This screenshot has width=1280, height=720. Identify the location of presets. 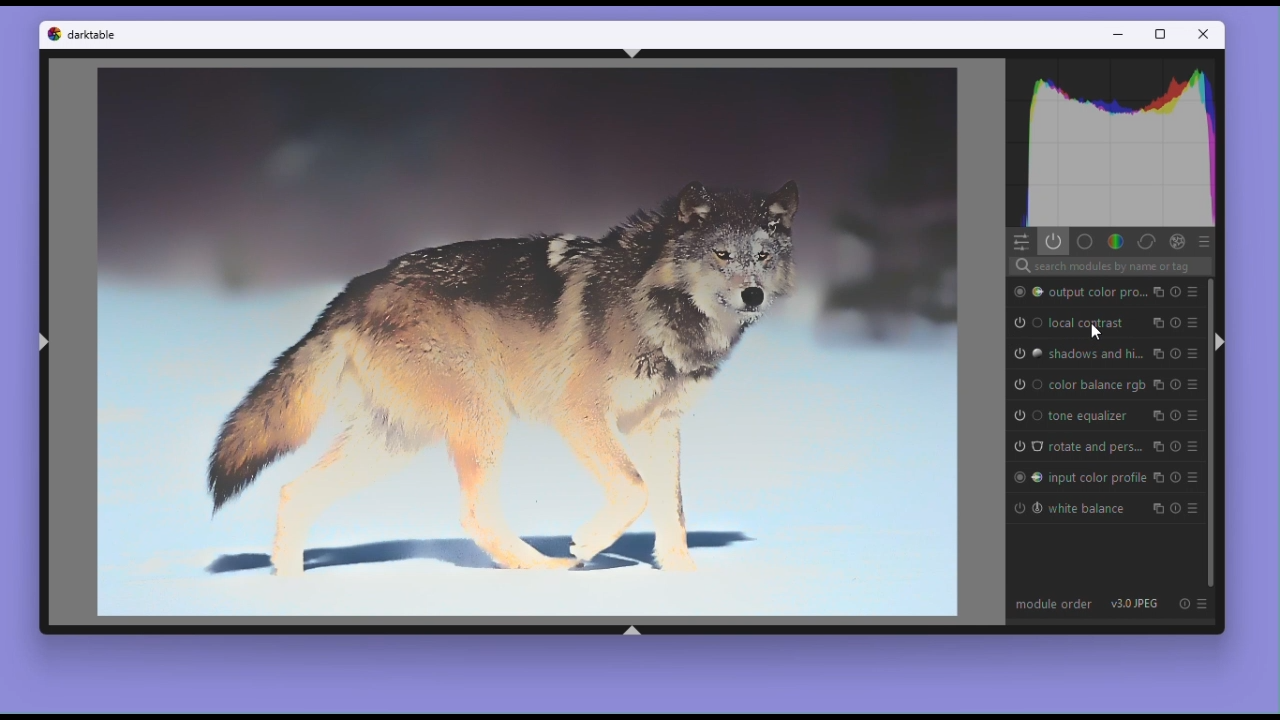
(1191, 385).